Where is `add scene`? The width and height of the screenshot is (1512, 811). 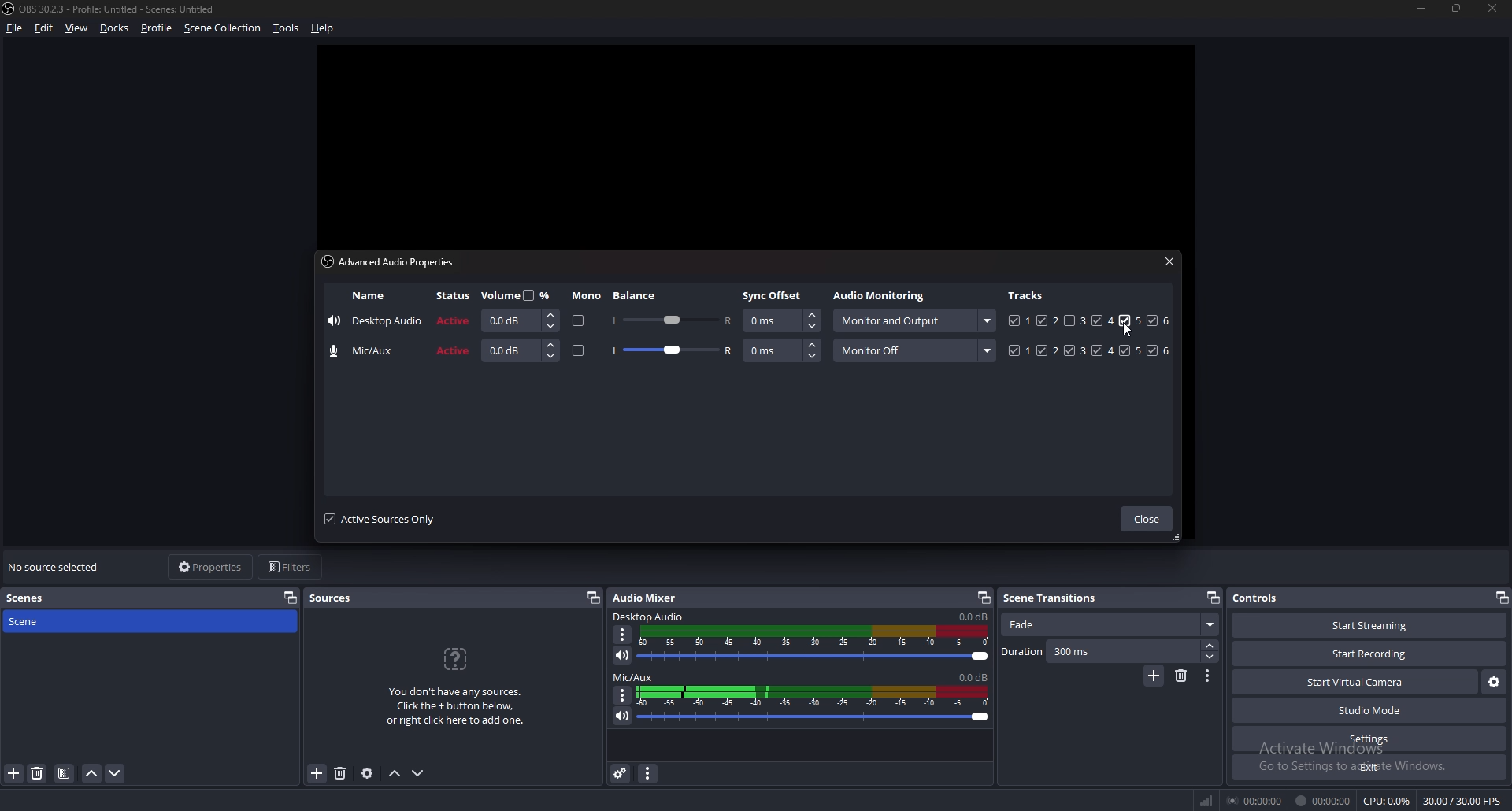 add scene is located at coordinates (14, 774).